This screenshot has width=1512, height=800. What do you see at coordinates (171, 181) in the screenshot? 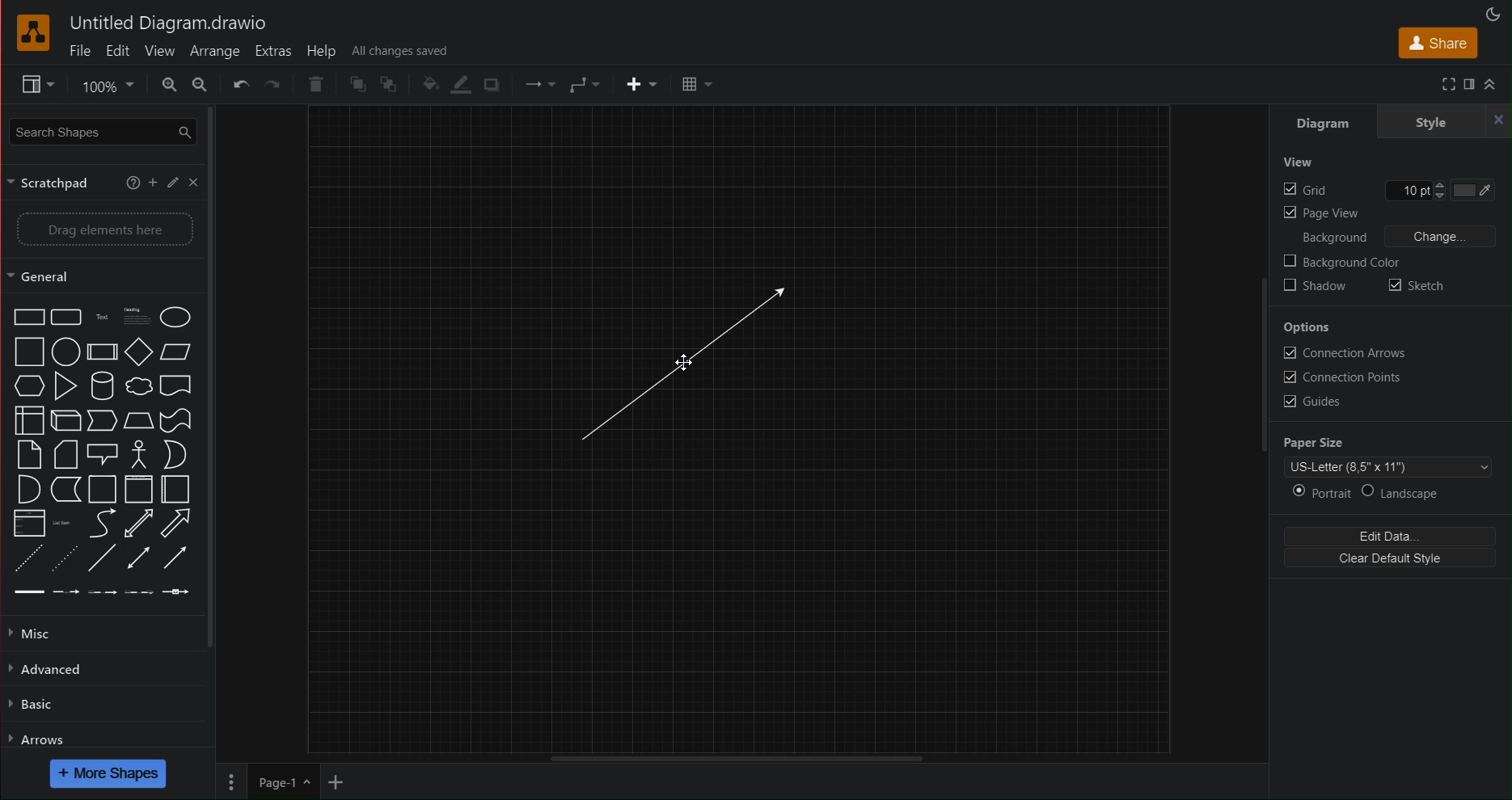
I see `Edit` at bounding box center [171, 181].